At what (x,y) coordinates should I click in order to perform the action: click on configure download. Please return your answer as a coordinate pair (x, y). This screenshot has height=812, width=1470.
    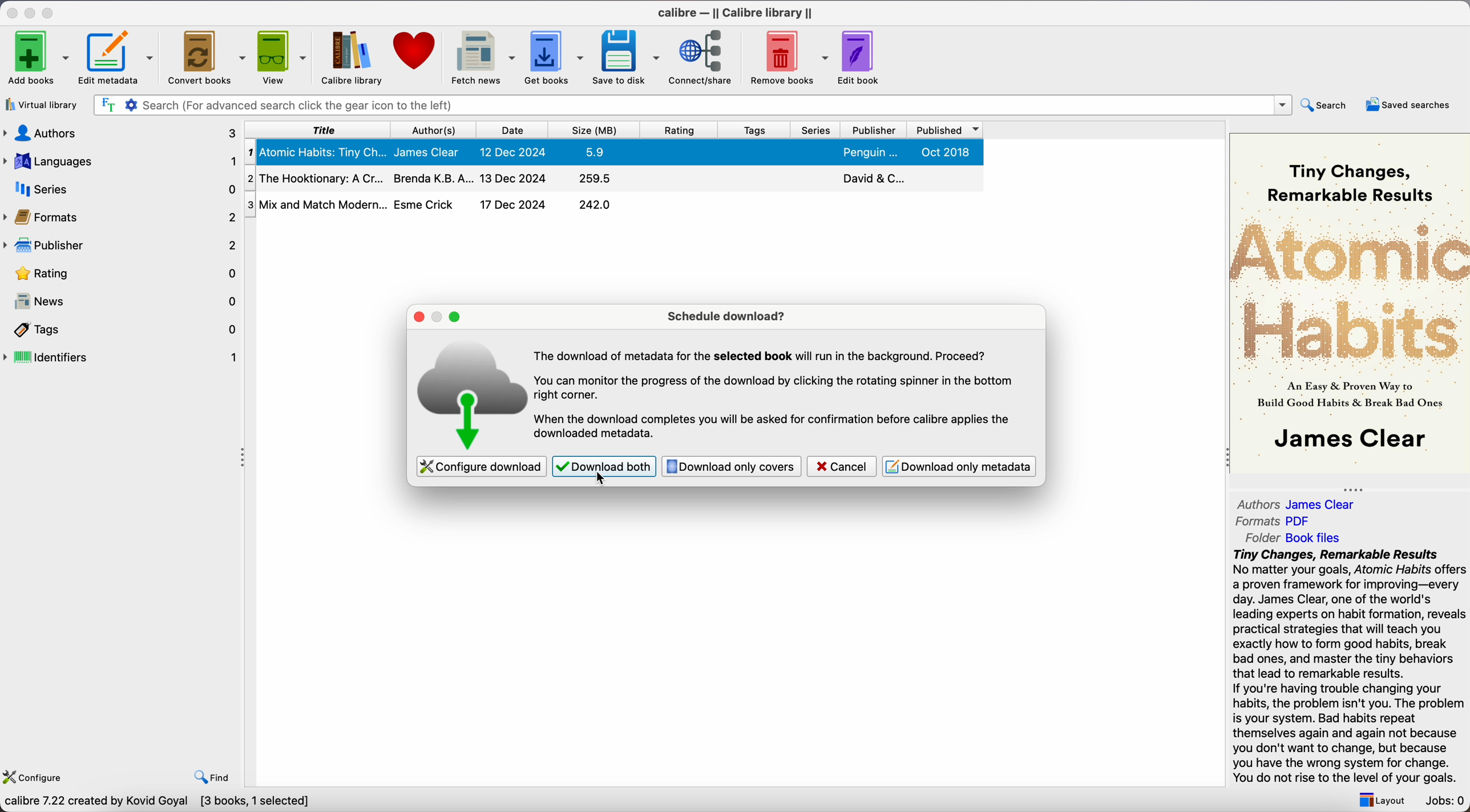
    Looking at the image, I should click on (482, 466).